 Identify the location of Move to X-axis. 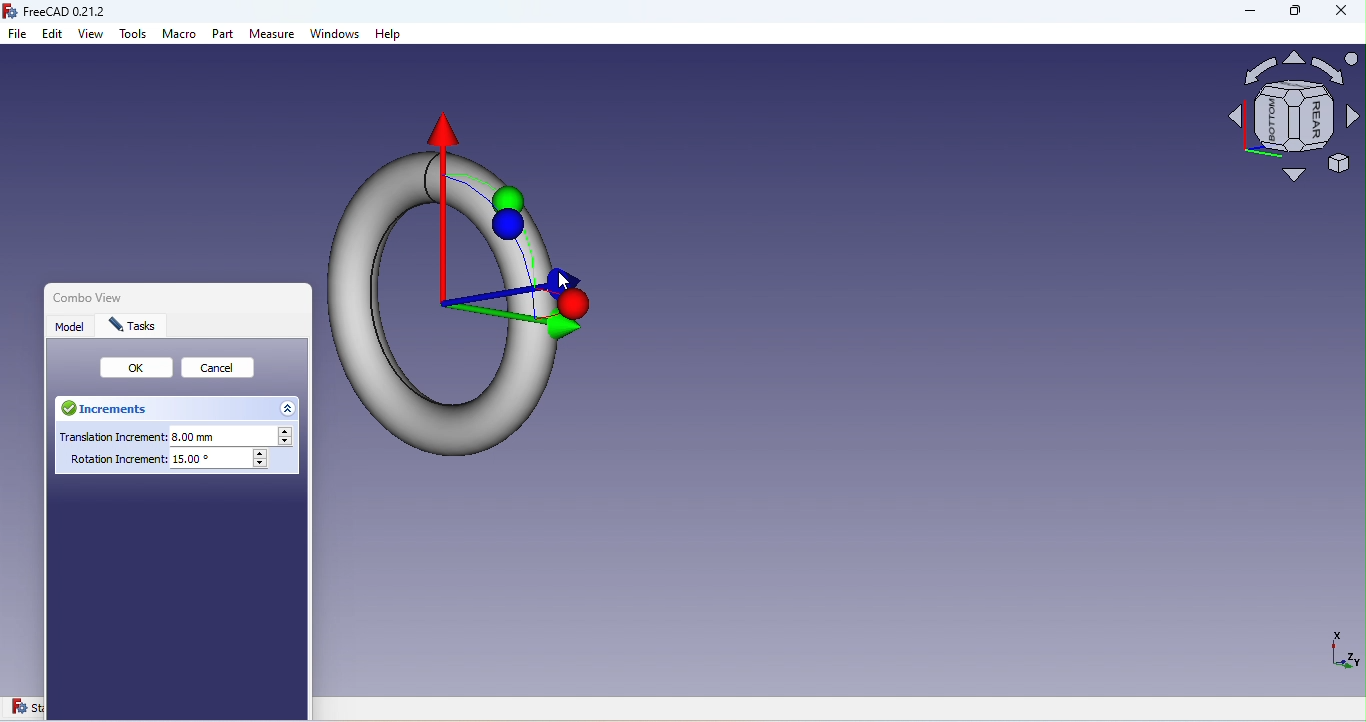
(443, 134).